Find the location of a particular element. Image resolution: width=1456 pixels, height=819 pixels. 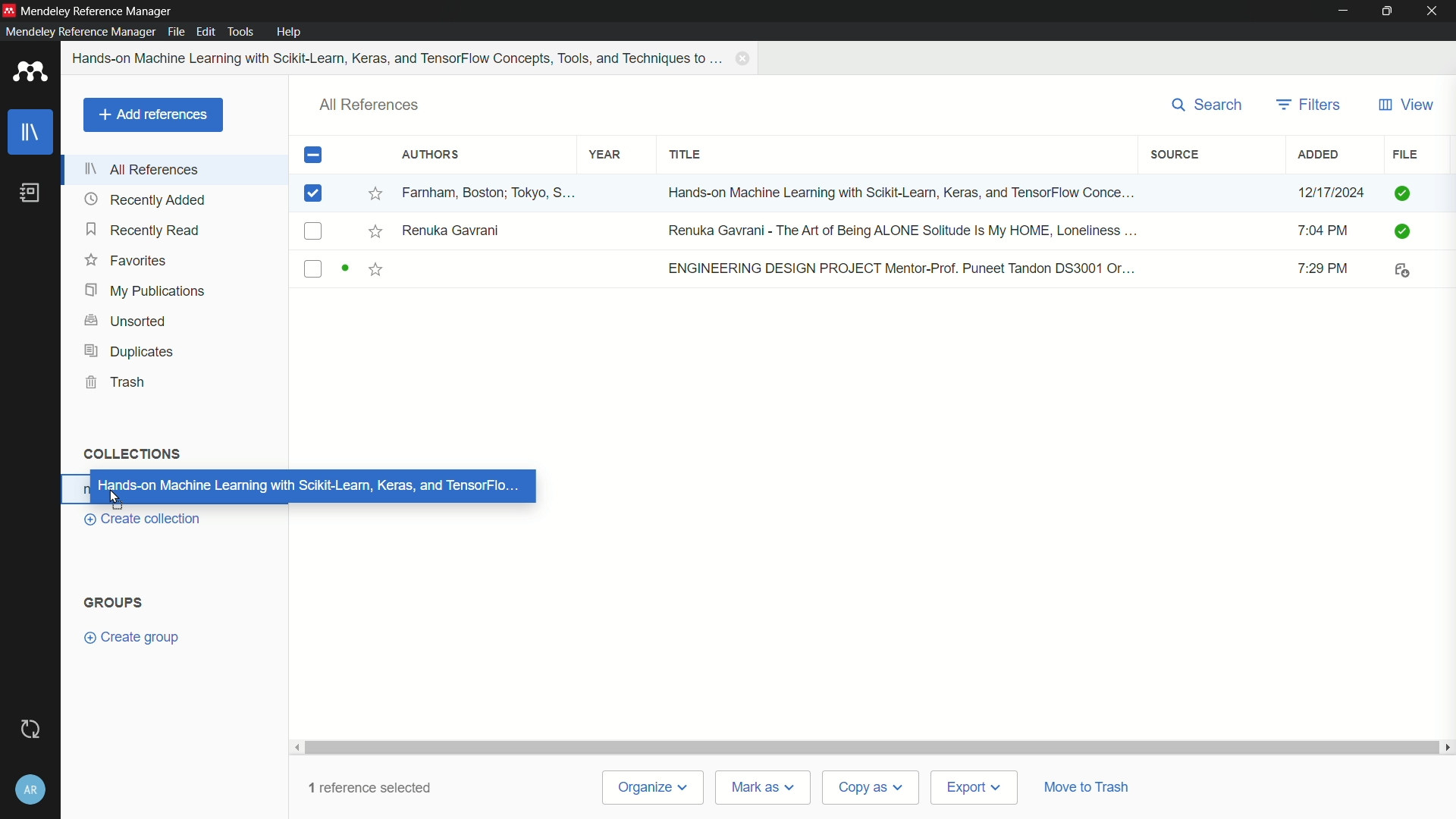

source is located at coordinates (1176, 154).